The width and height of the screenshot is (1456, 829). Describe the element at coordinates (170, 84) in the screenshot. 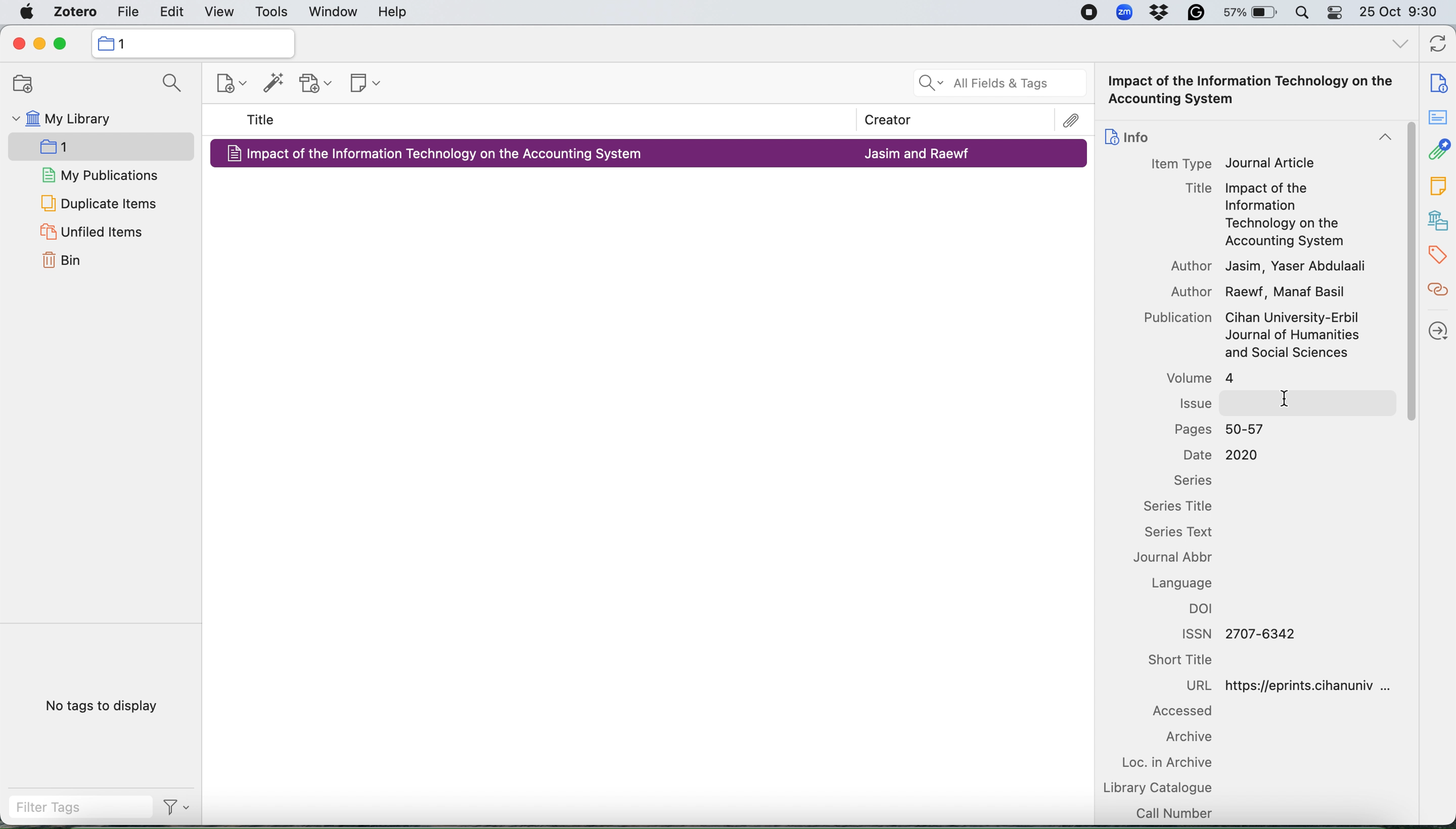

I see `searcg` at that location.